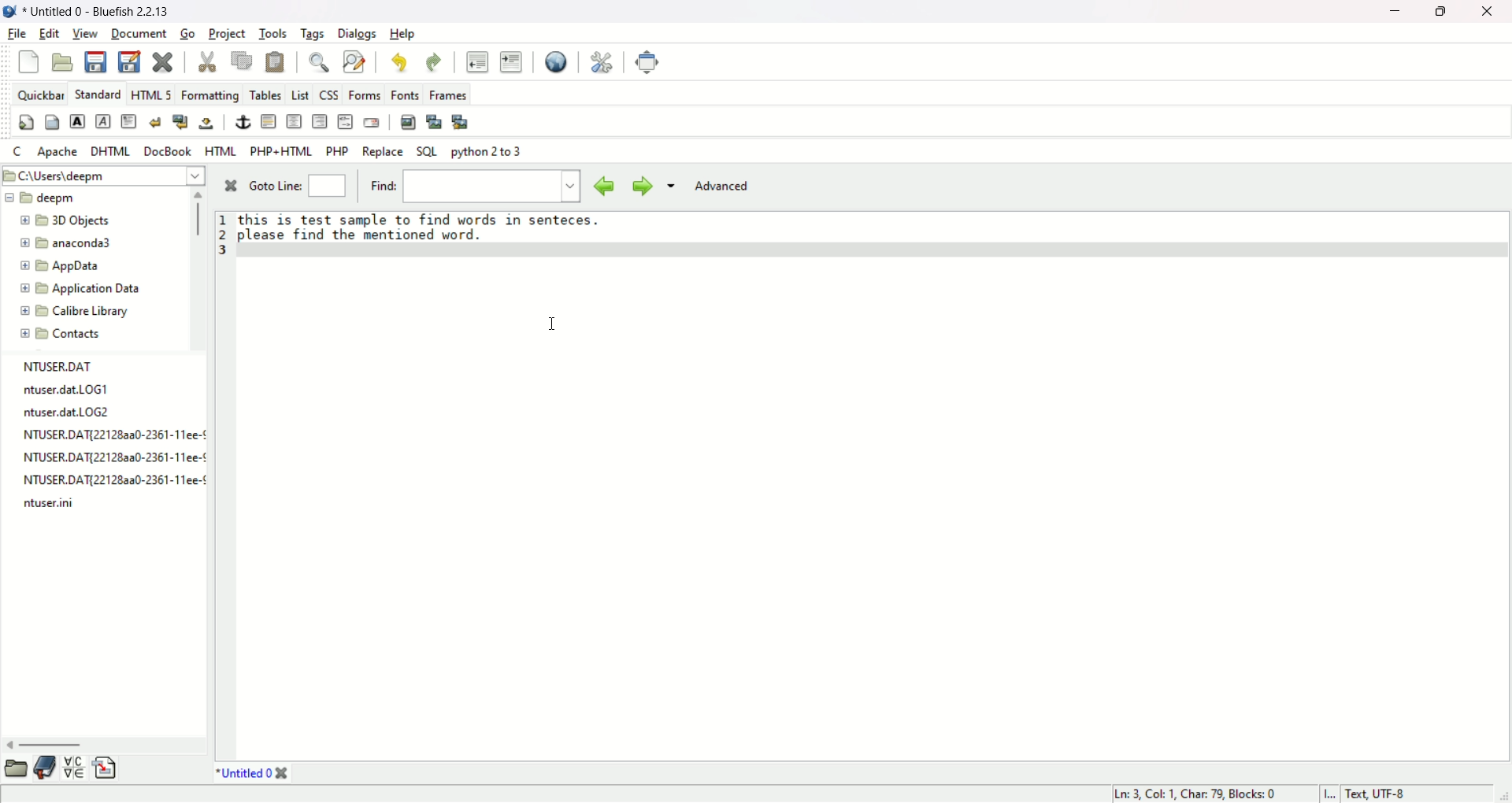  Describe the element at coordinates (128, 121) in the screenshot. I see `paragraph` at that location.